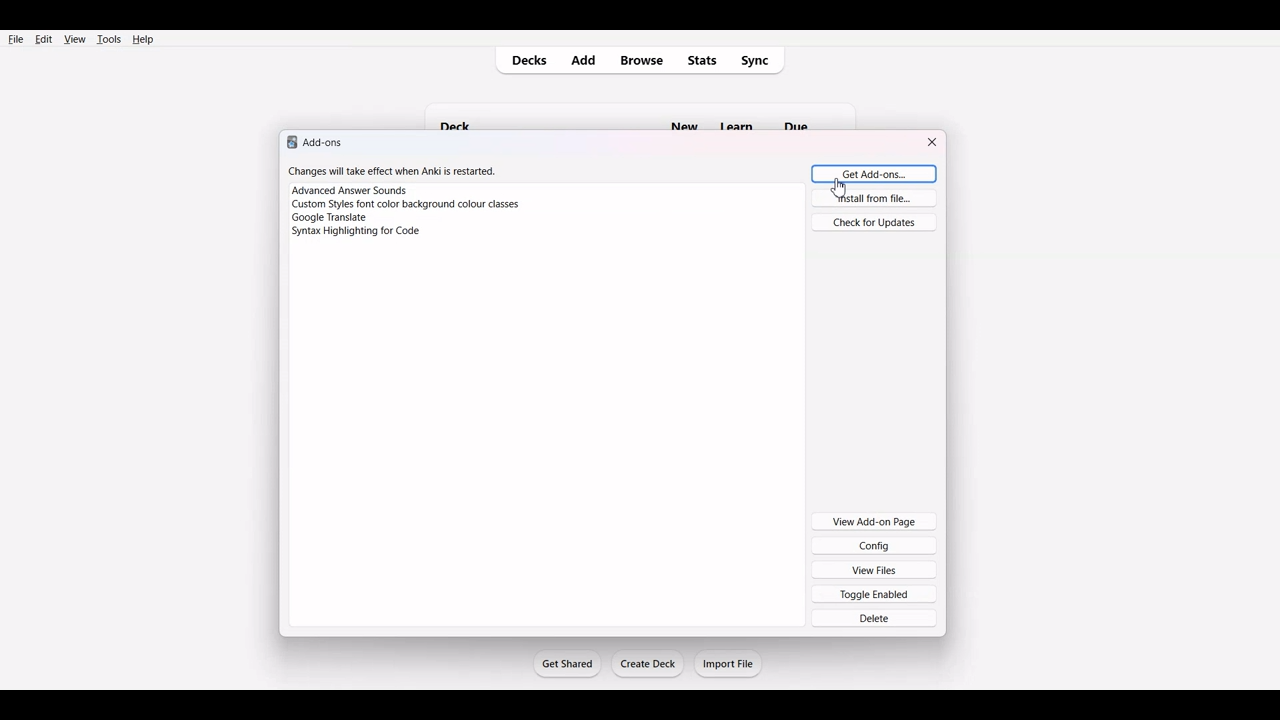  What do you see at coordinates (761, 60) in the screenshot?
I see `Sync` at bounding box center [761, 60].